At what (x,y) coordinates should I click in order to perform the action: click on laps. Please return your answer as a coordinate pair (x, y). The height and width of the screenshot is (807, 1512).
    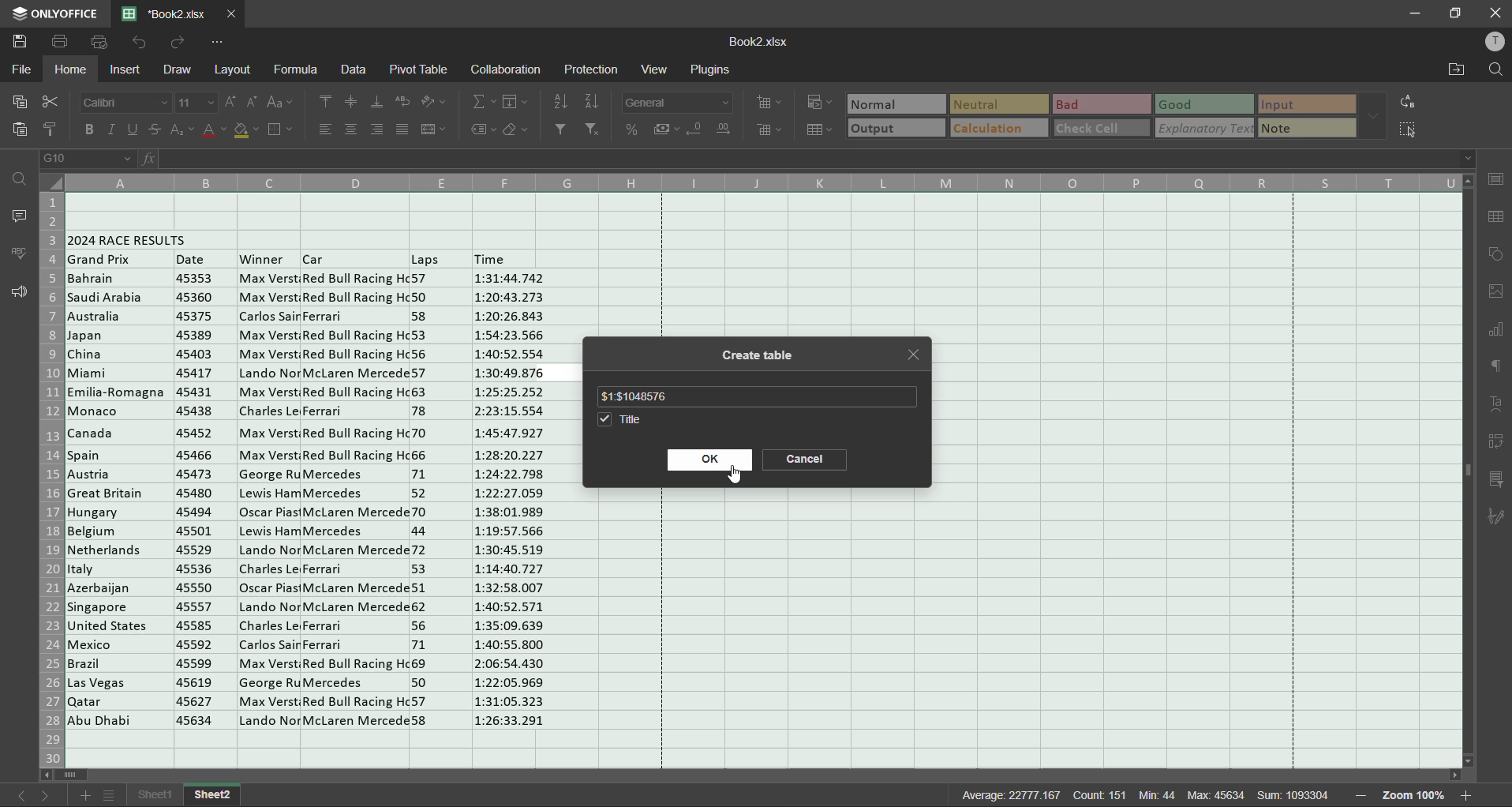
    Looking at the image, I should click on (430, 500).